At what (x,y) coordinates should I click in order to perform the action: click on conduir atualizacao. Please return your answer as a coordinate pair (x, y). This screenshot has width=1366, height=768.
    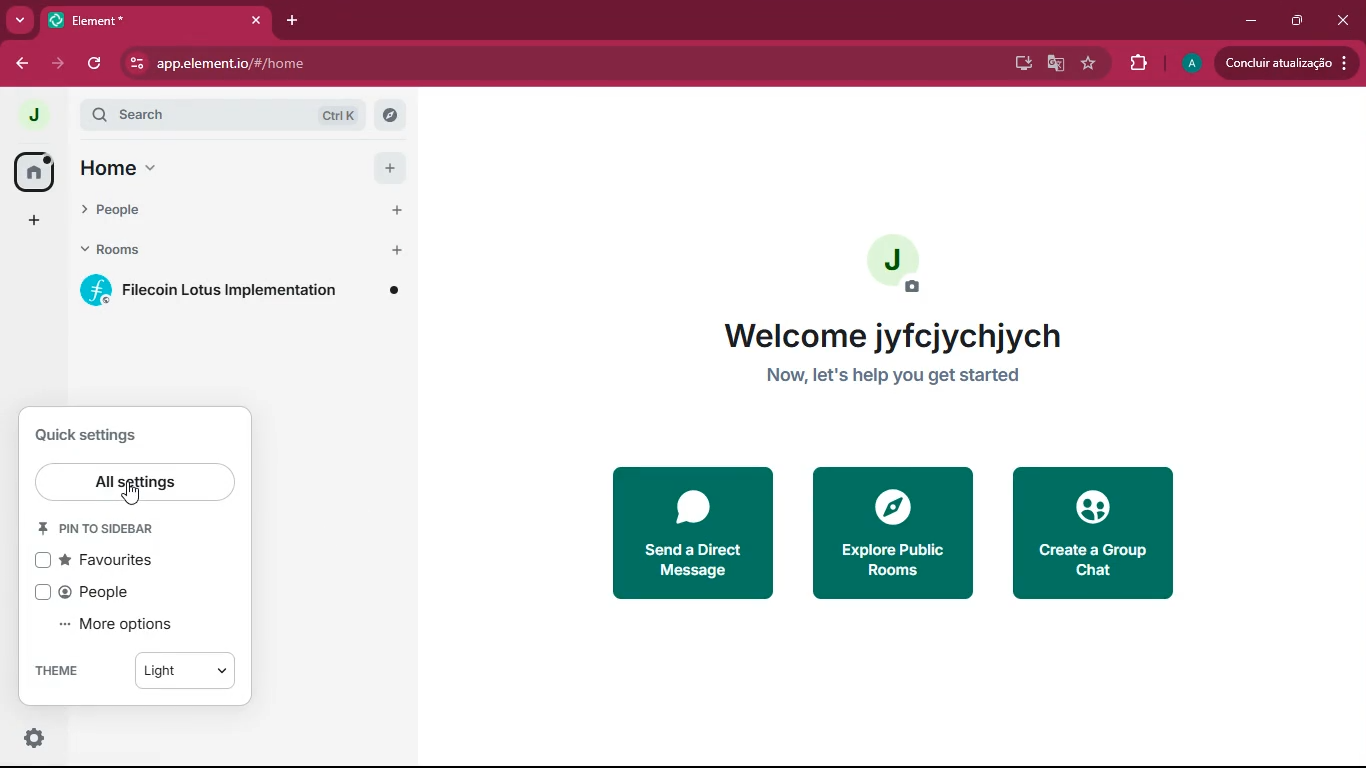
    Looking at the image, I should click on (1284, 64).